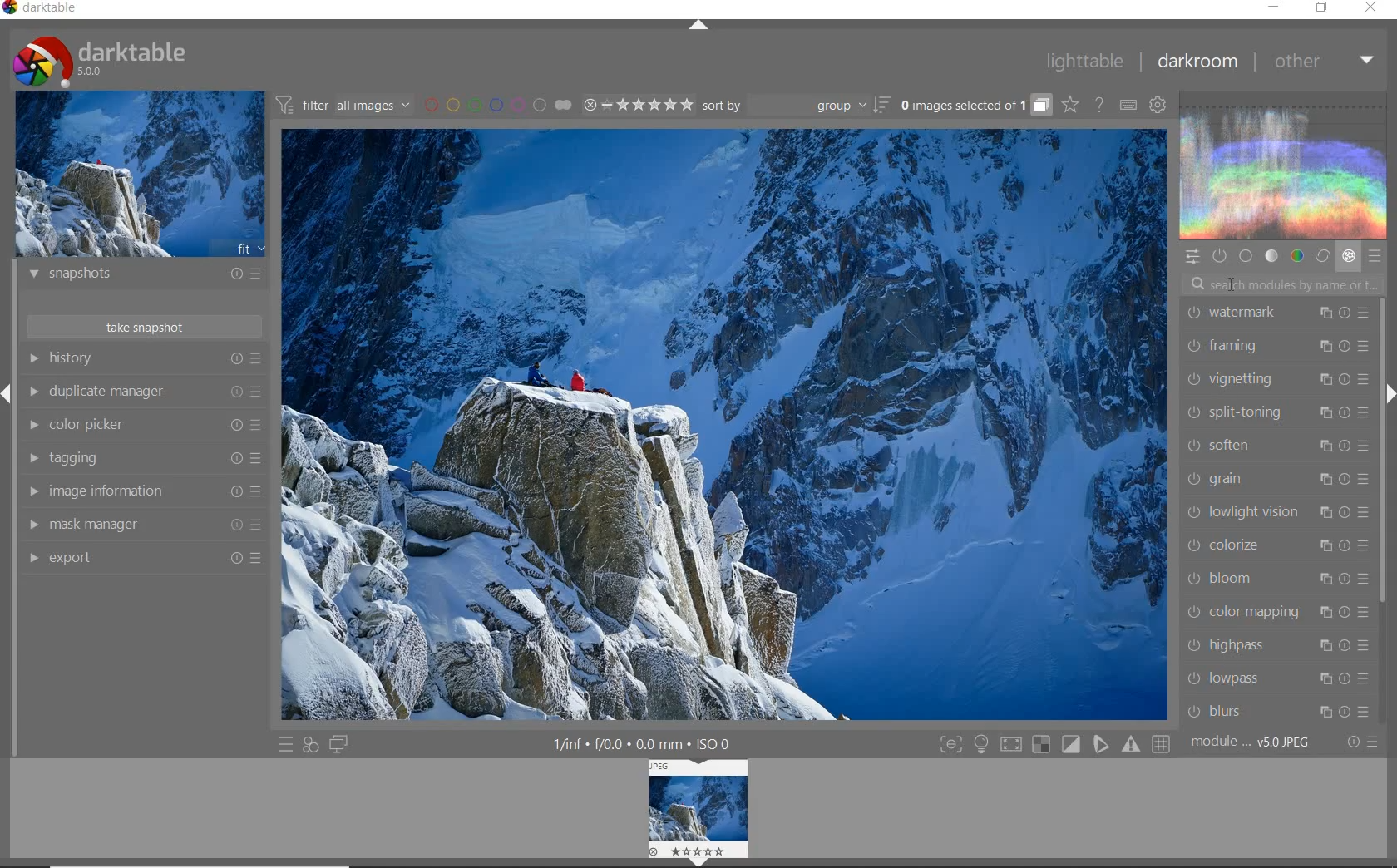 Image resolution: width=1397 pixels, height=868 pixels. Describe the element at coordinates (141, 557) in the screenshot. I see `export` at that location.